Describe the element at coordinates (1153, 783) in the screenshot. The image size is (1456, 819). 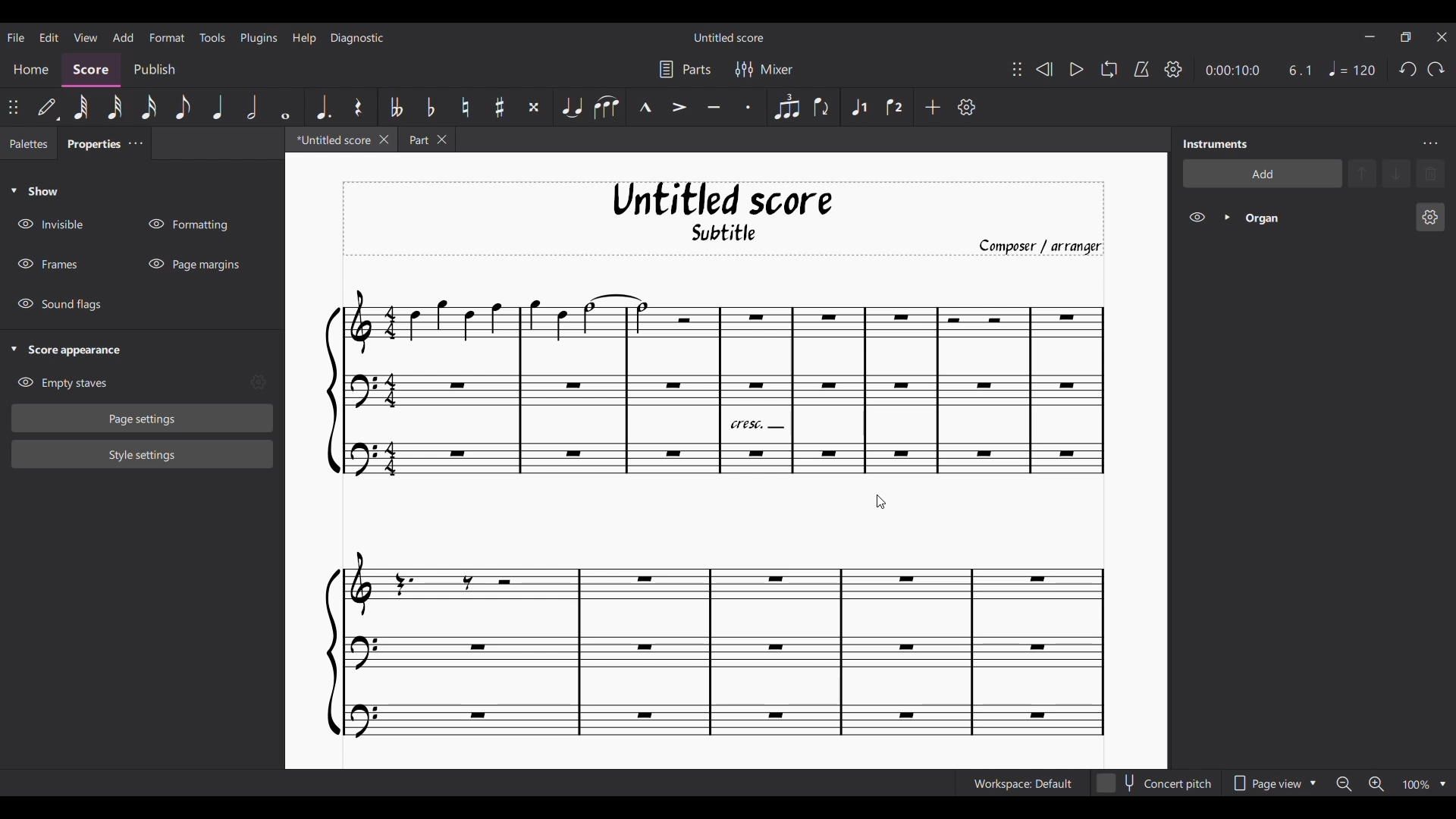
I see `Toggle for Concert pitch` at that location.